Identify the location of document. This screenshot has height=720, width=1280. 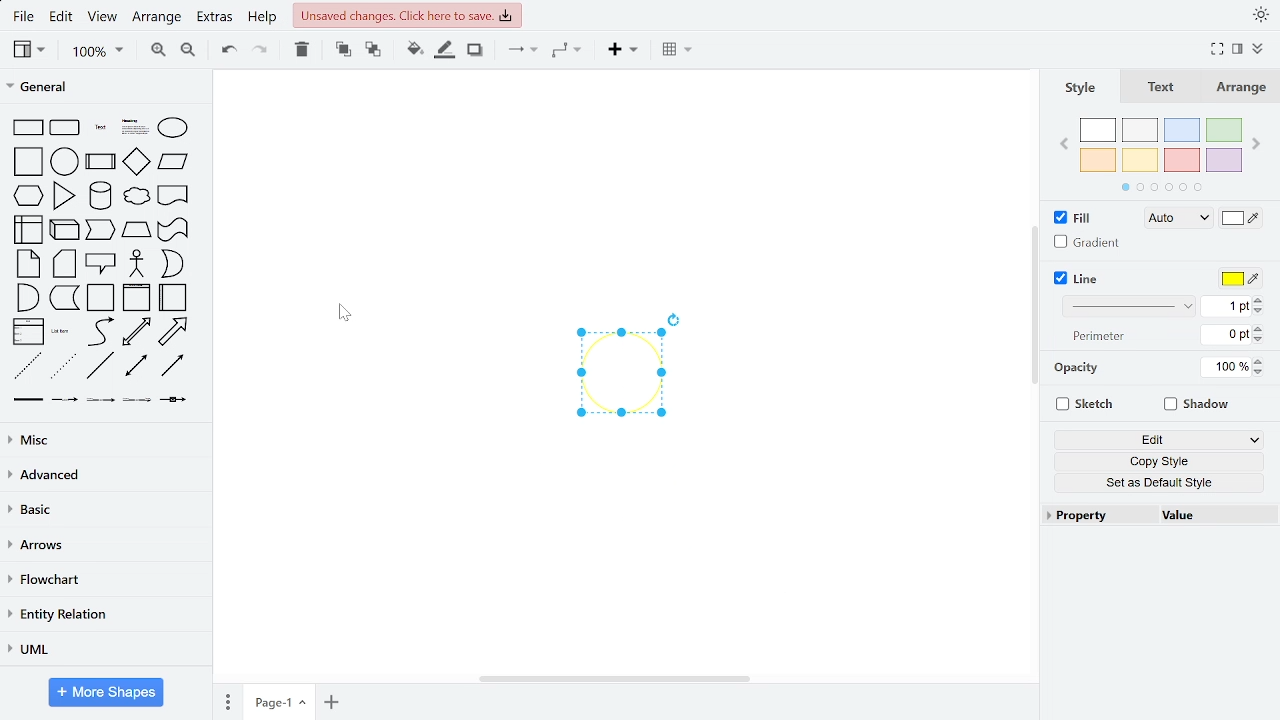
(172, 197).